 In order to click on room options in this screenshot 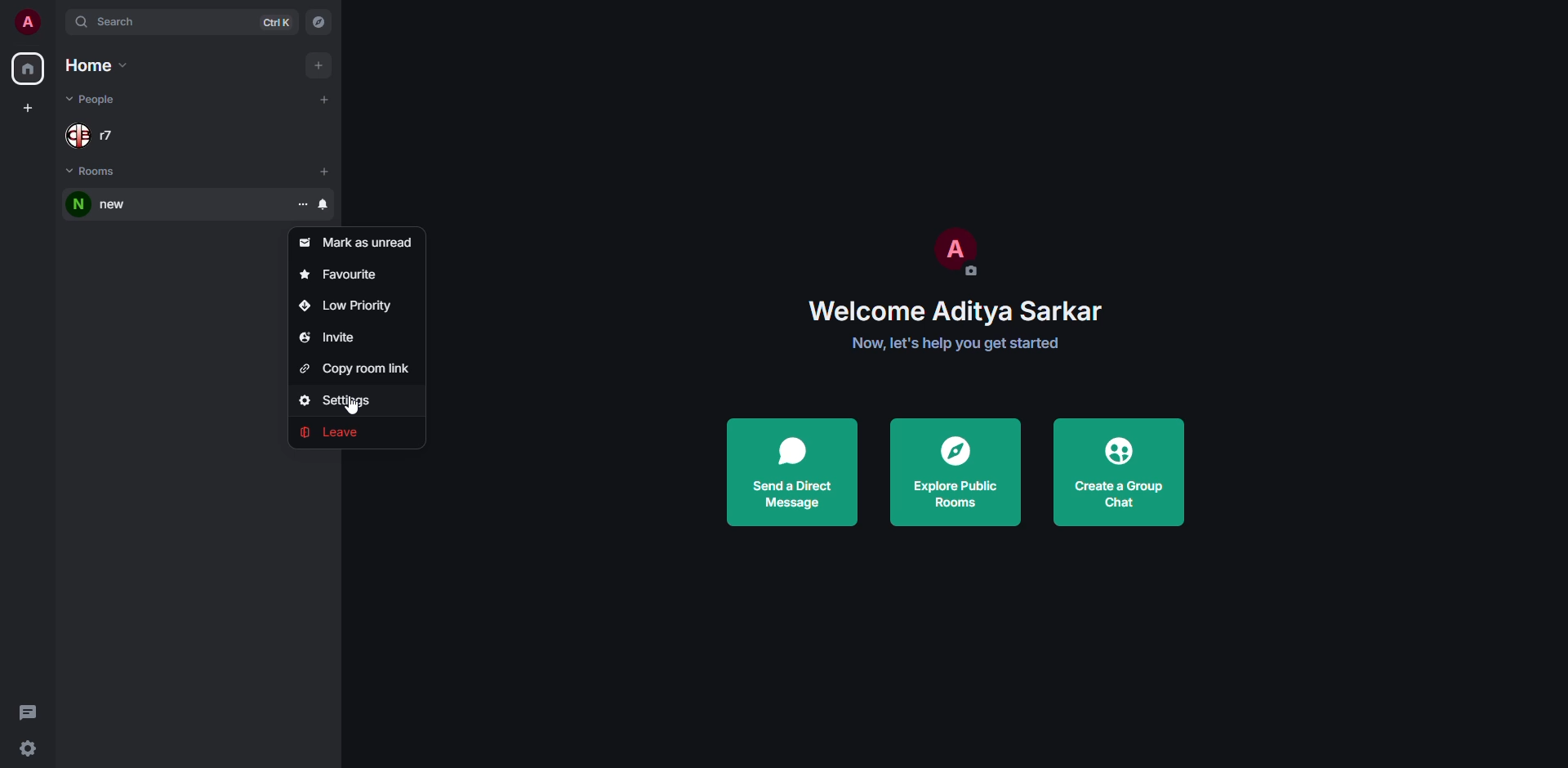, I will do `click(358, 204)`.